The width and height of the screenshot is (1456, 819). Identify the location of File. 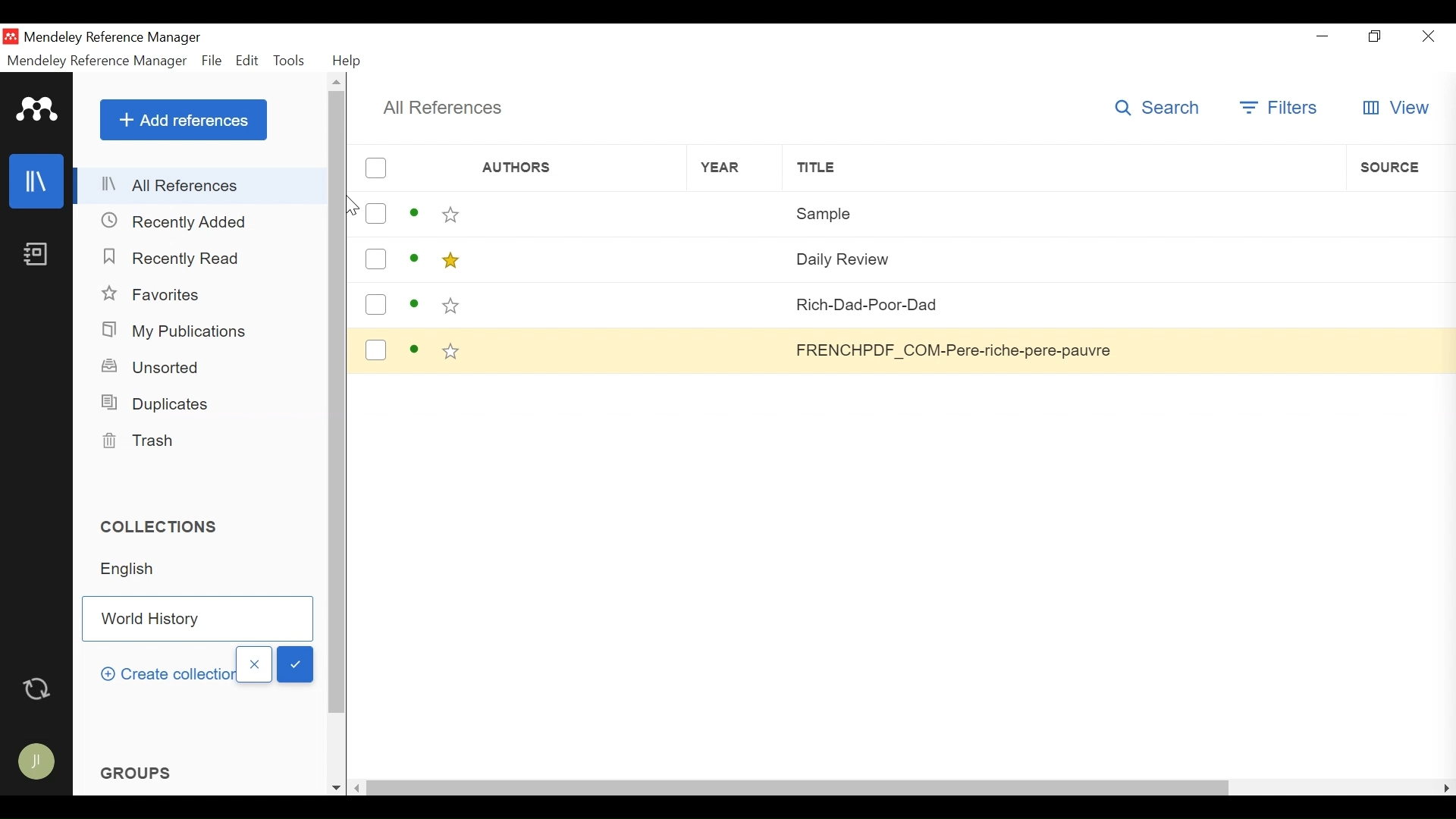
(212, 61).